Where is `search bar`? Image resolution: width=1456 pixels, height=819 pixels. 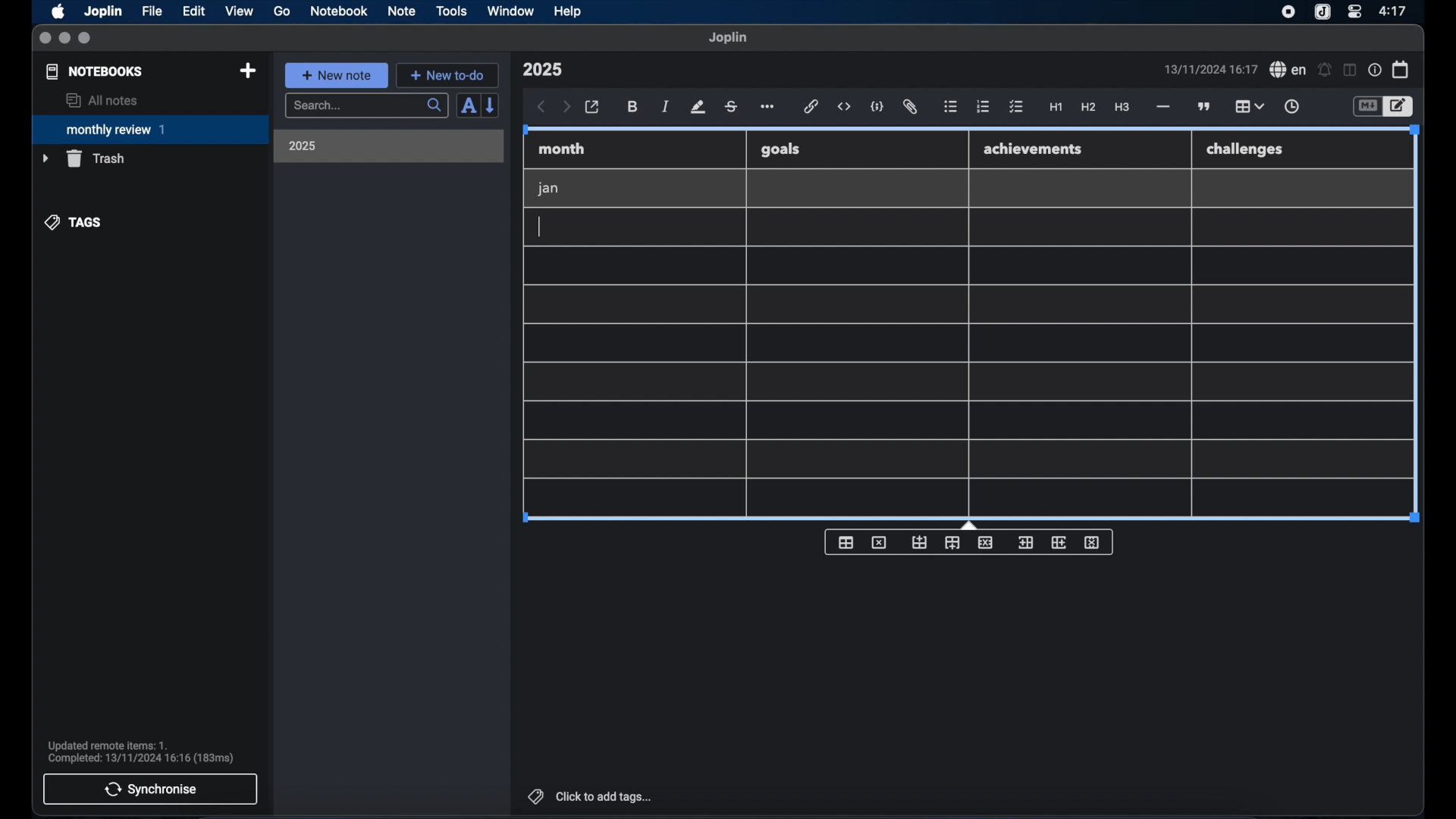
search bar is located at coordinates (366, 107).